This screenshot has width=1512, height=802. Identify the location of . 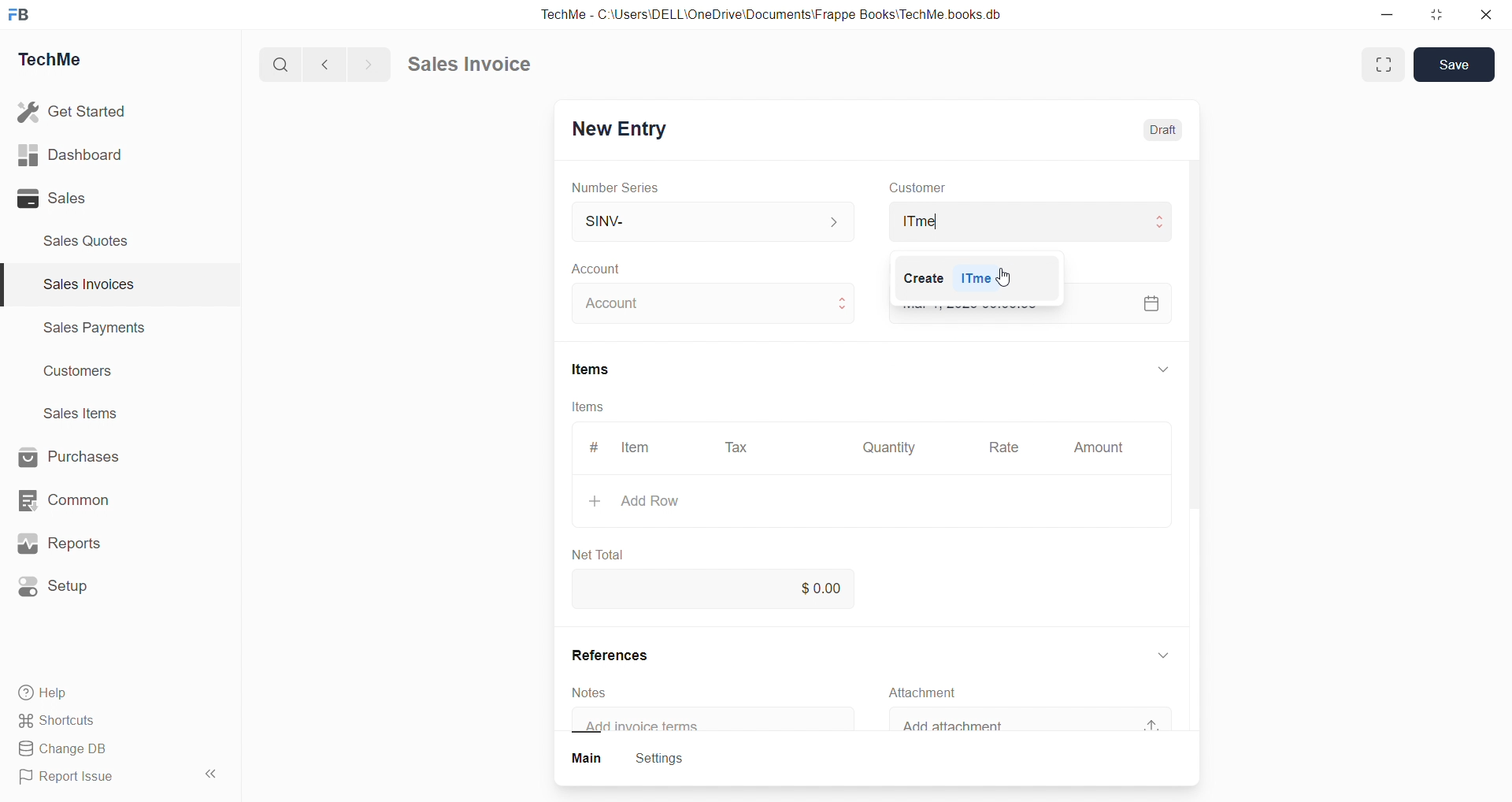
(587, 759).